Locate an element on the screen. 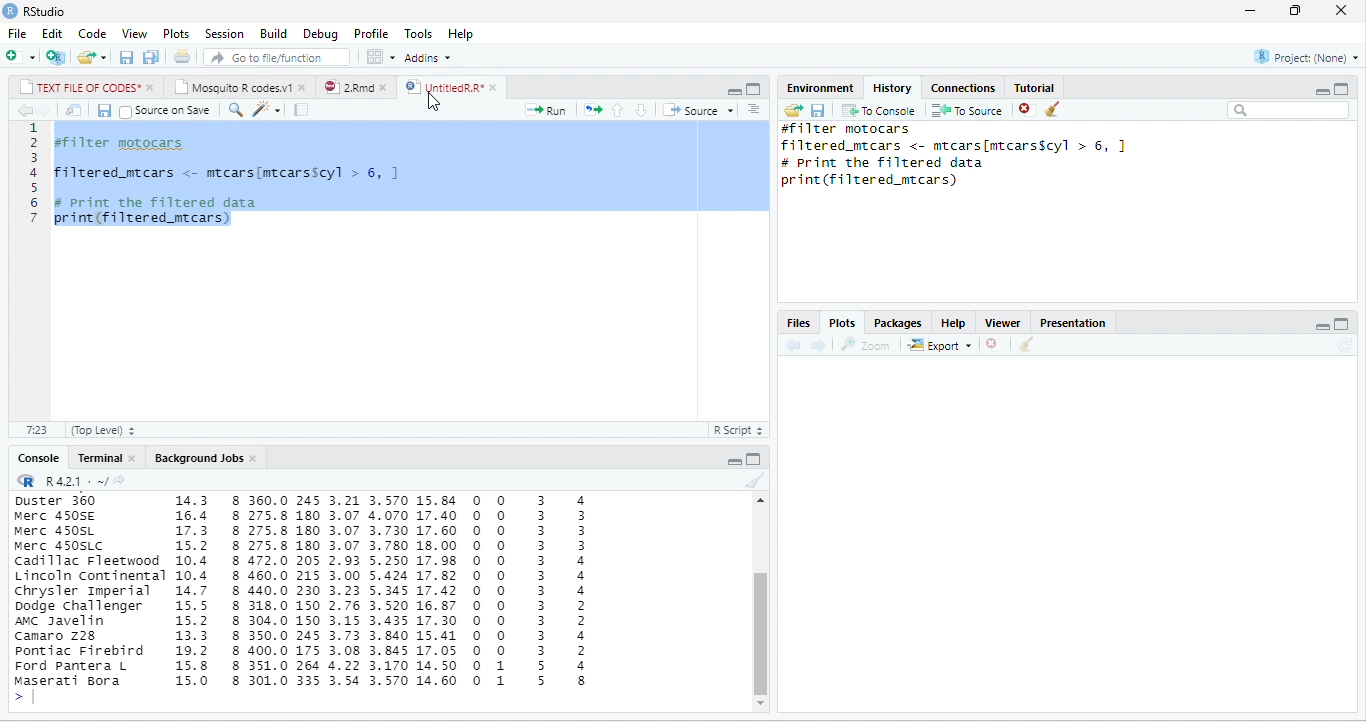  down is located at coordinates (641, 110).